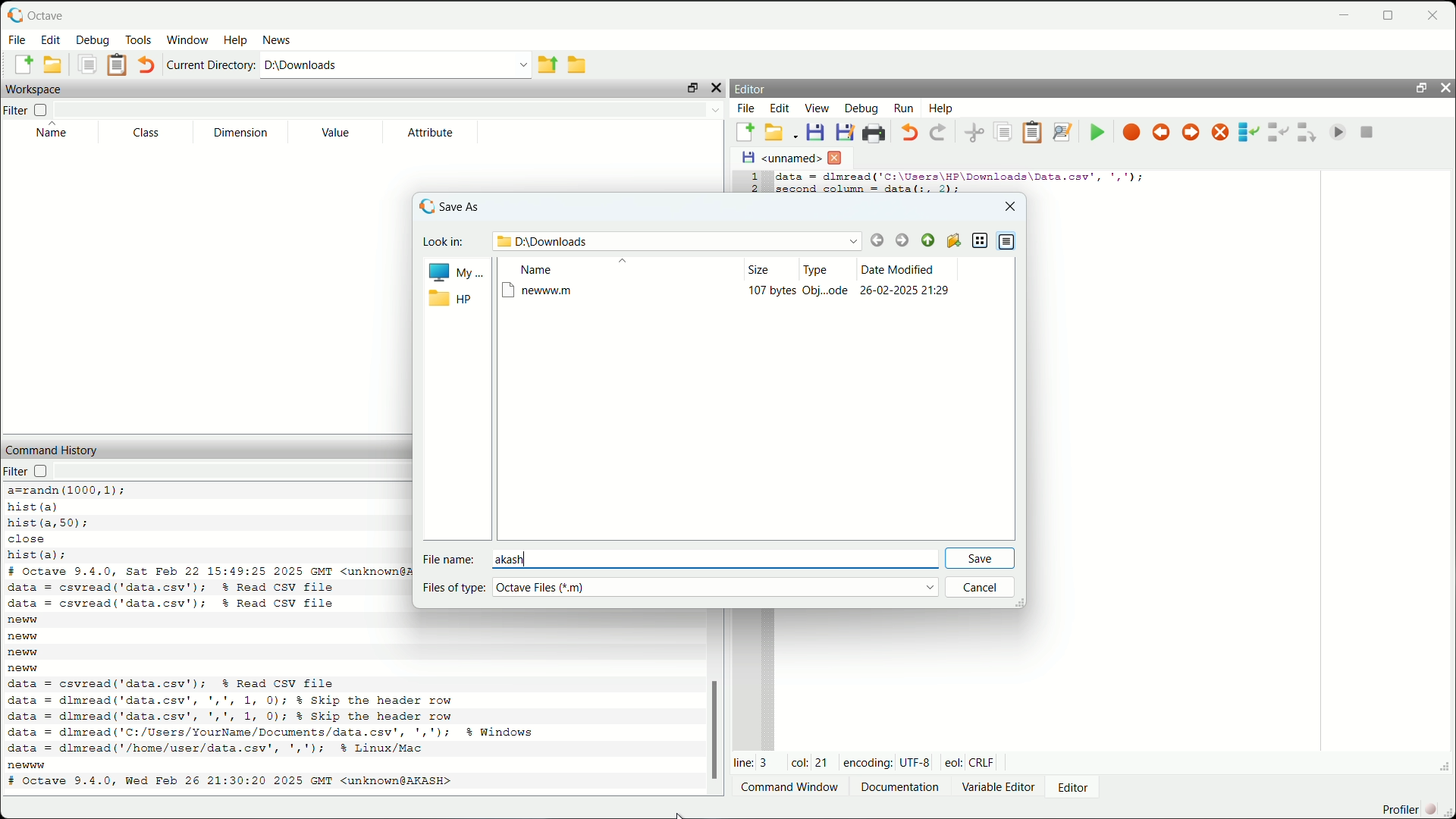 Image resolution: width=1456 pixels, height=819 pixels. What do you see at coordinates (448, 558) in the screenshot?
I see `file name` at bounding box center [448, 558].